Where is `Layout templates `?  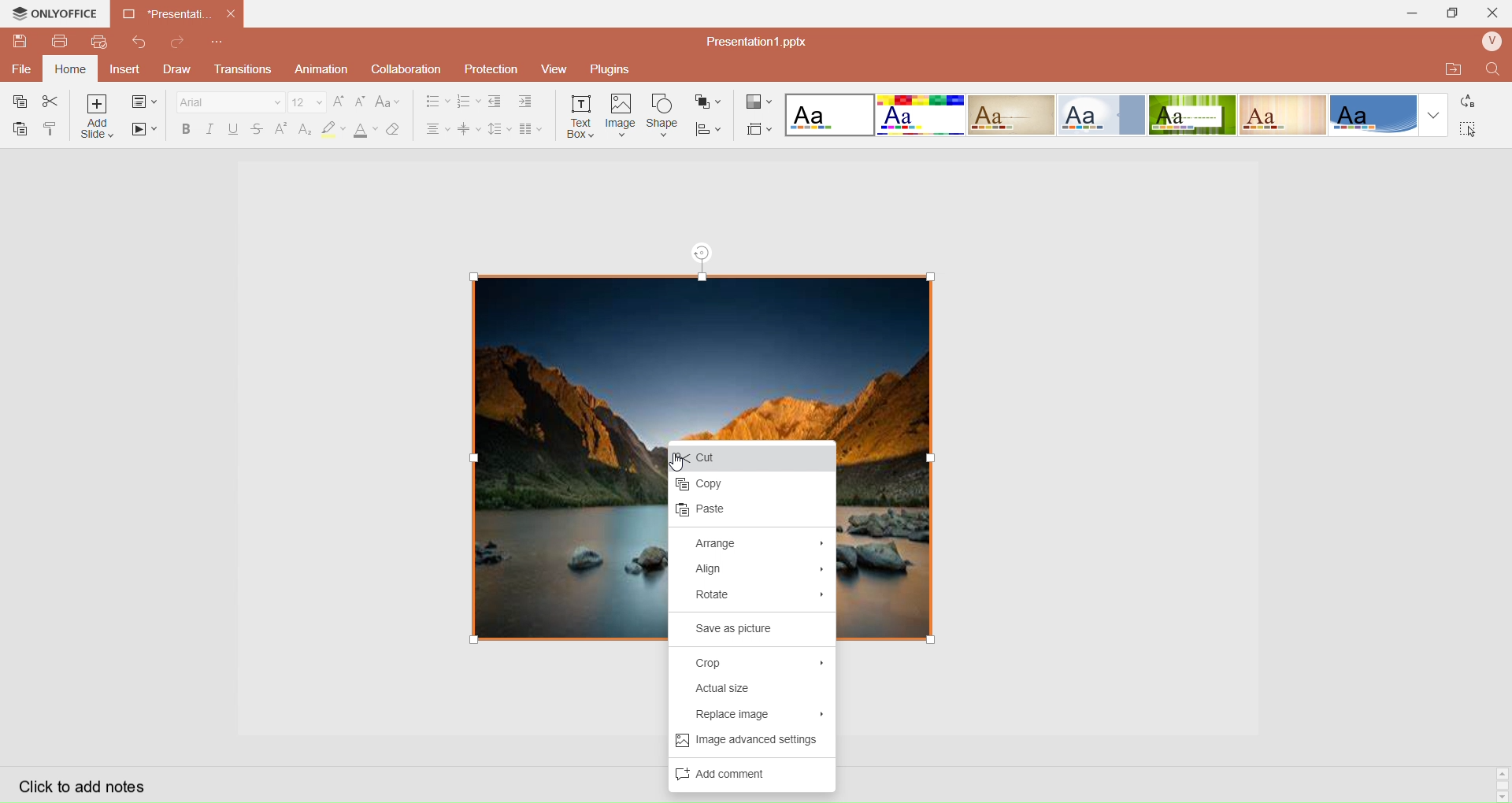
Layout templates  is located at coordinates (1118, 115).